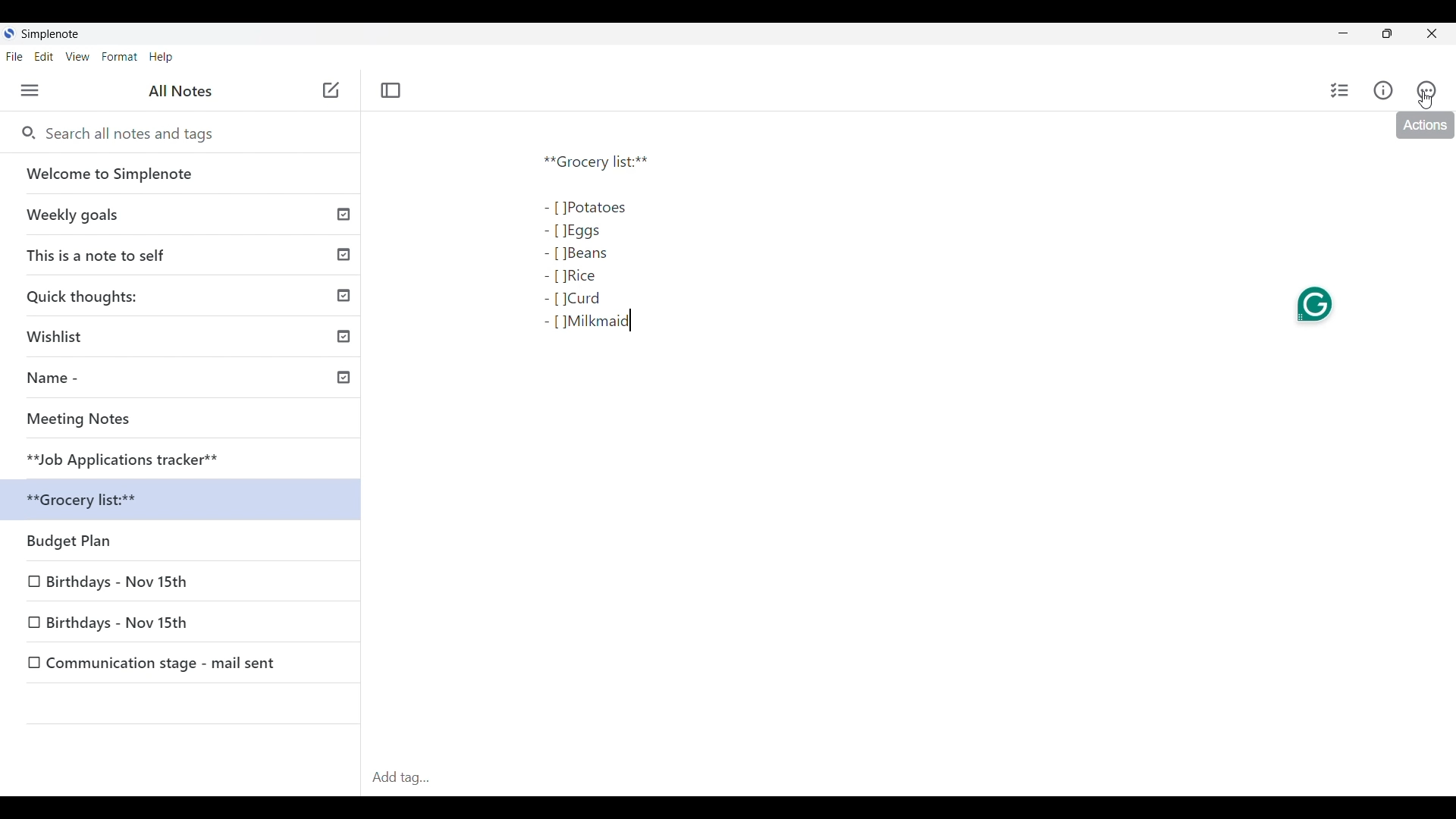 This screenshot has height=819, width=1456. I want to click on Search all notes and tags, so click(127, 133).